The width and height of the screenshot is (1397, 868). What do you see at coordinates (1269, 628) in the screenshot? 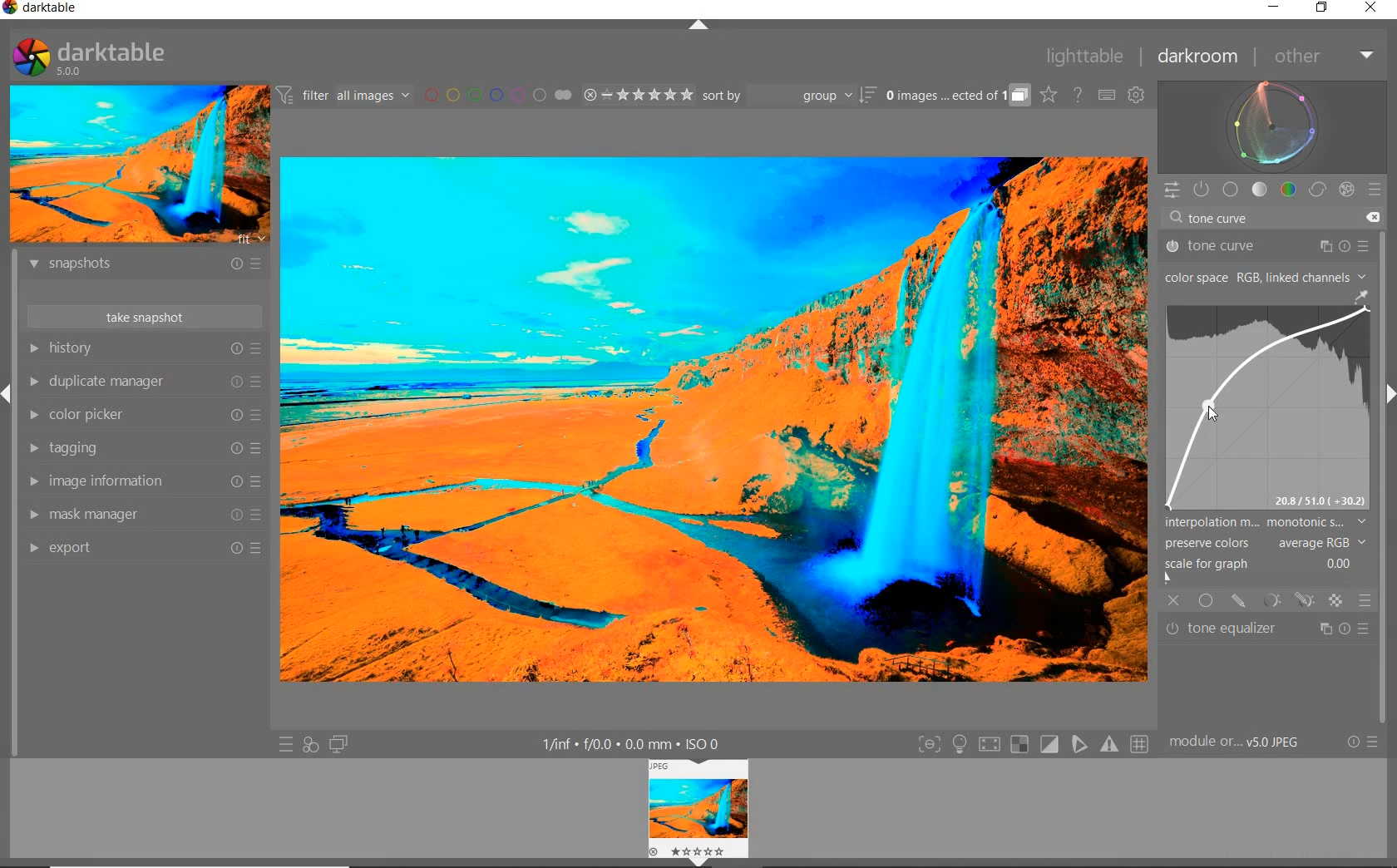
I see `tone equalizer` at bounding box center [1269, 628].